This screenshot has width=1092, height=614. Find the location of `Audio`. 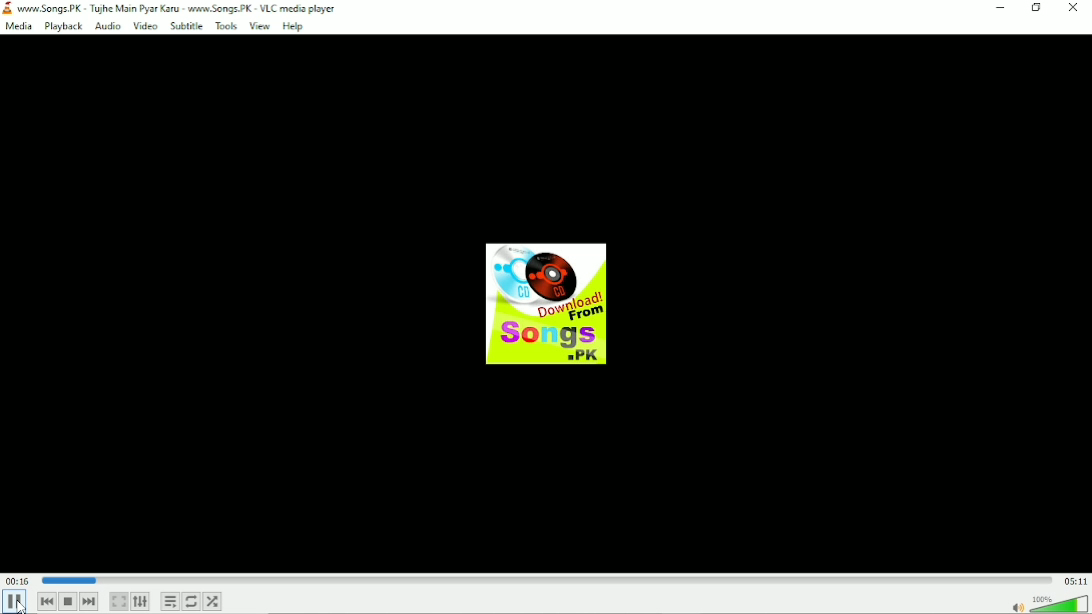

Audio is located at coordinates (107, 26).